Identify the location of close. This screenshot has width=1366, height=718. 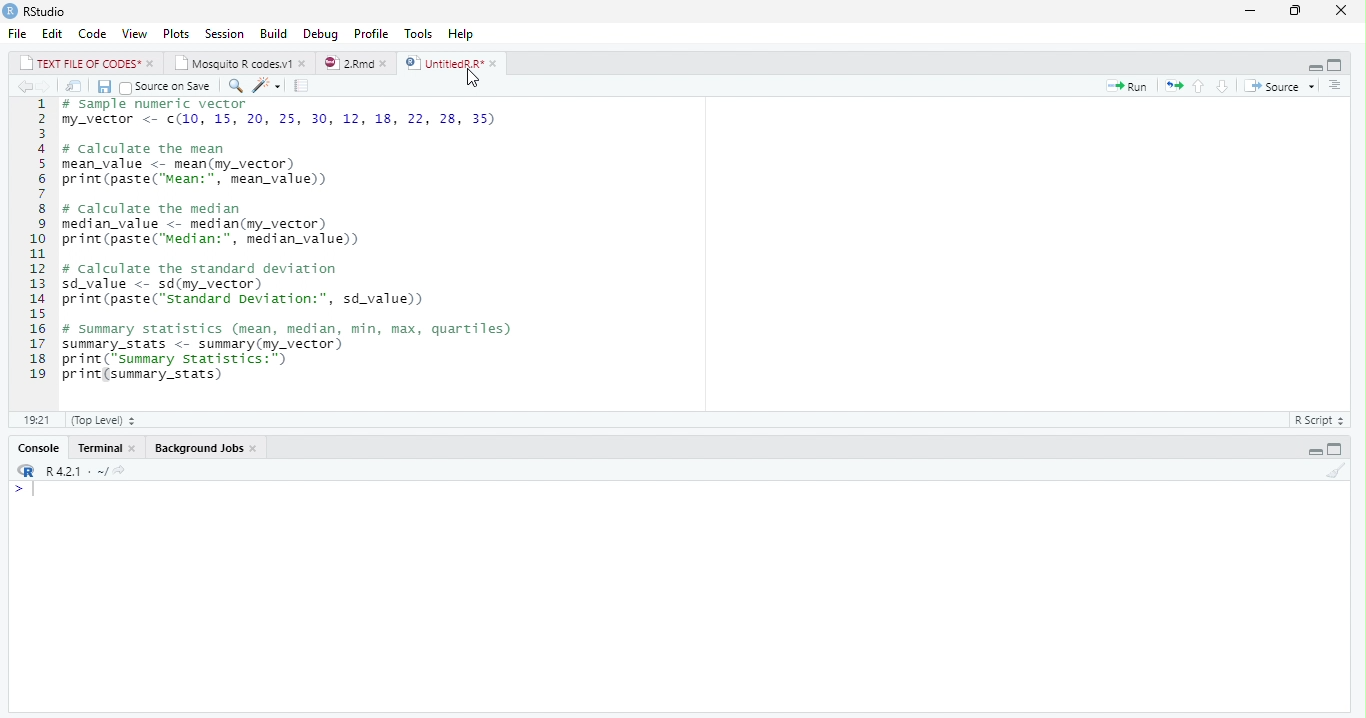
(1346, 10).